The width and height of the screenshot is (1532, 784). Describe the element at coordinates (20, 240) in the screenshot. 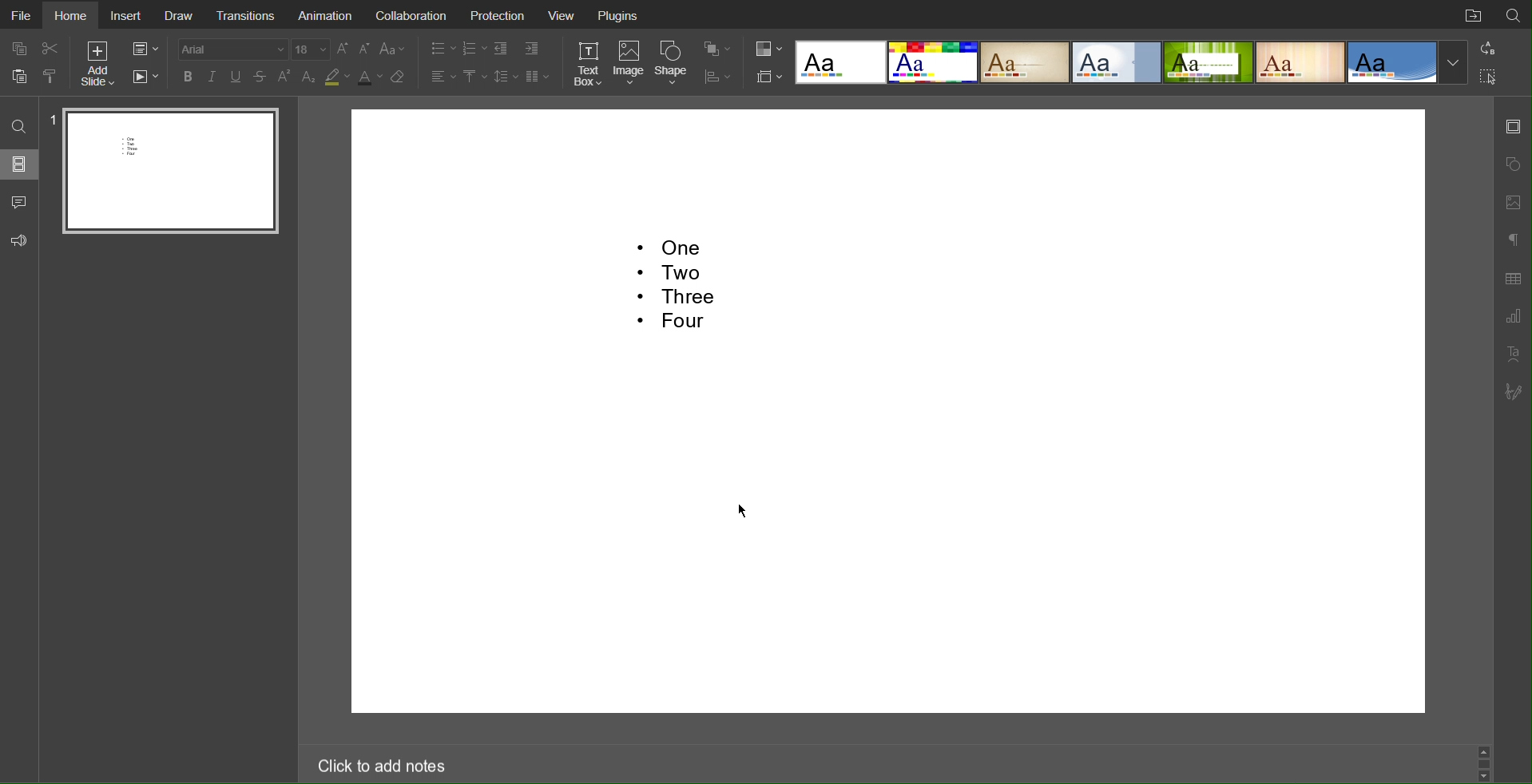

I see `Feedback and Support` at that location.